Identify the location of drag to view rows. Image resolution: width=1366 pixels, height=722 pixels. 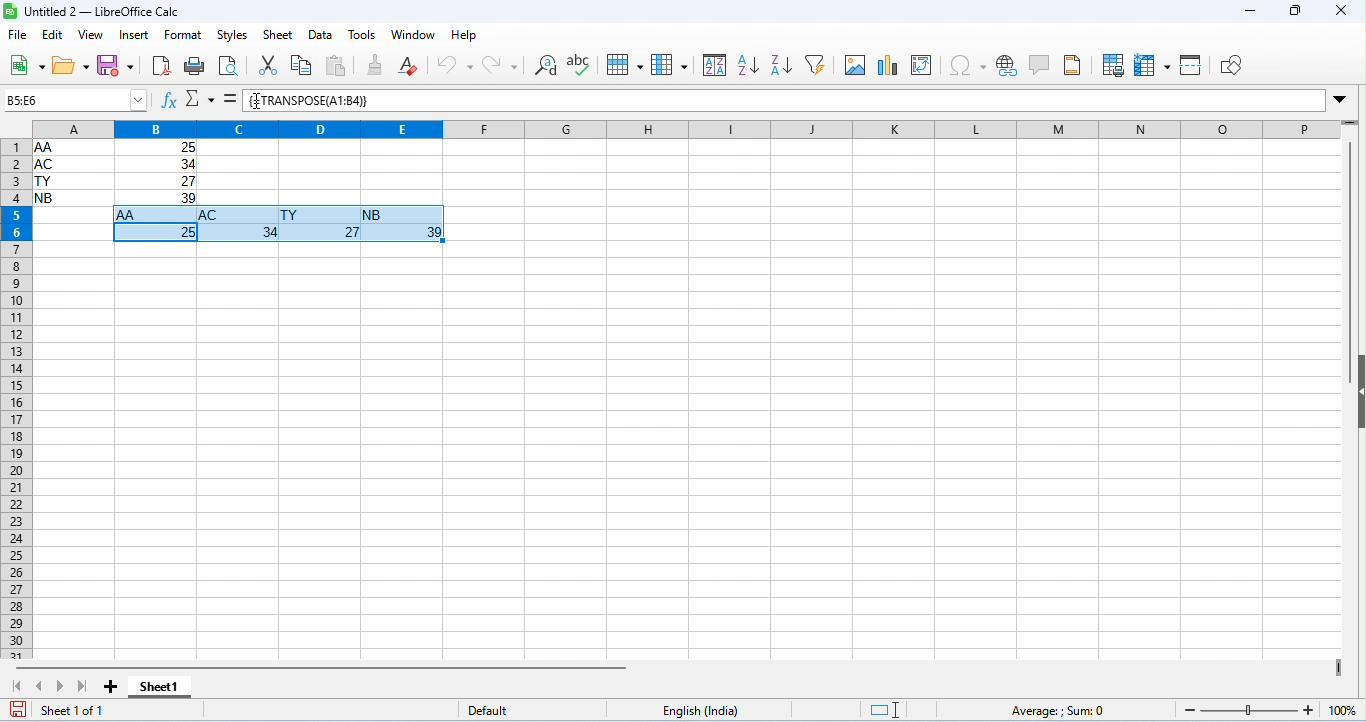
(1349, 123).